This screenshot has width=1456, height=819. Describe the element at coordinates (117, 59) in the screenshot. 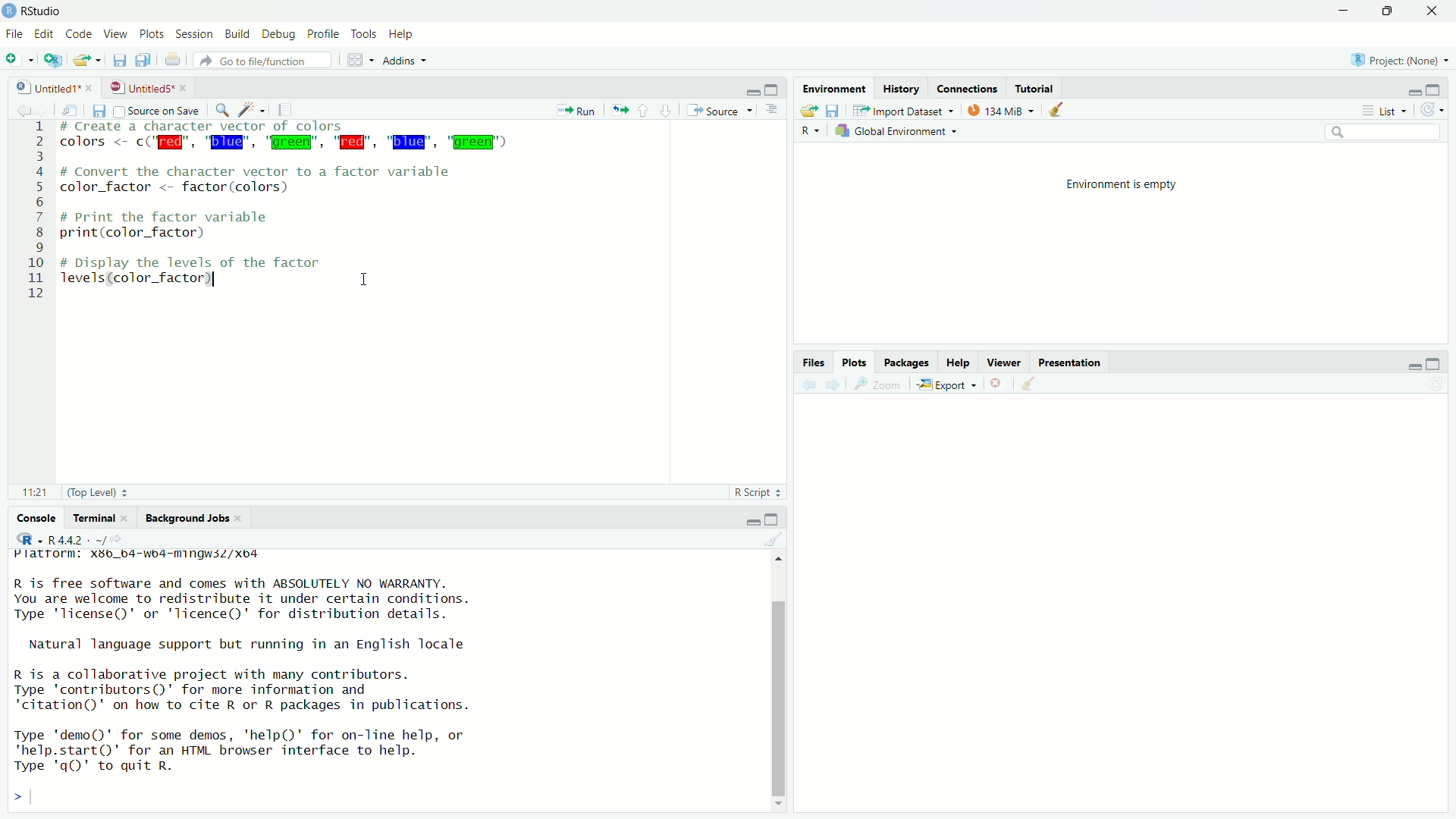

I see `save current document` at that location.